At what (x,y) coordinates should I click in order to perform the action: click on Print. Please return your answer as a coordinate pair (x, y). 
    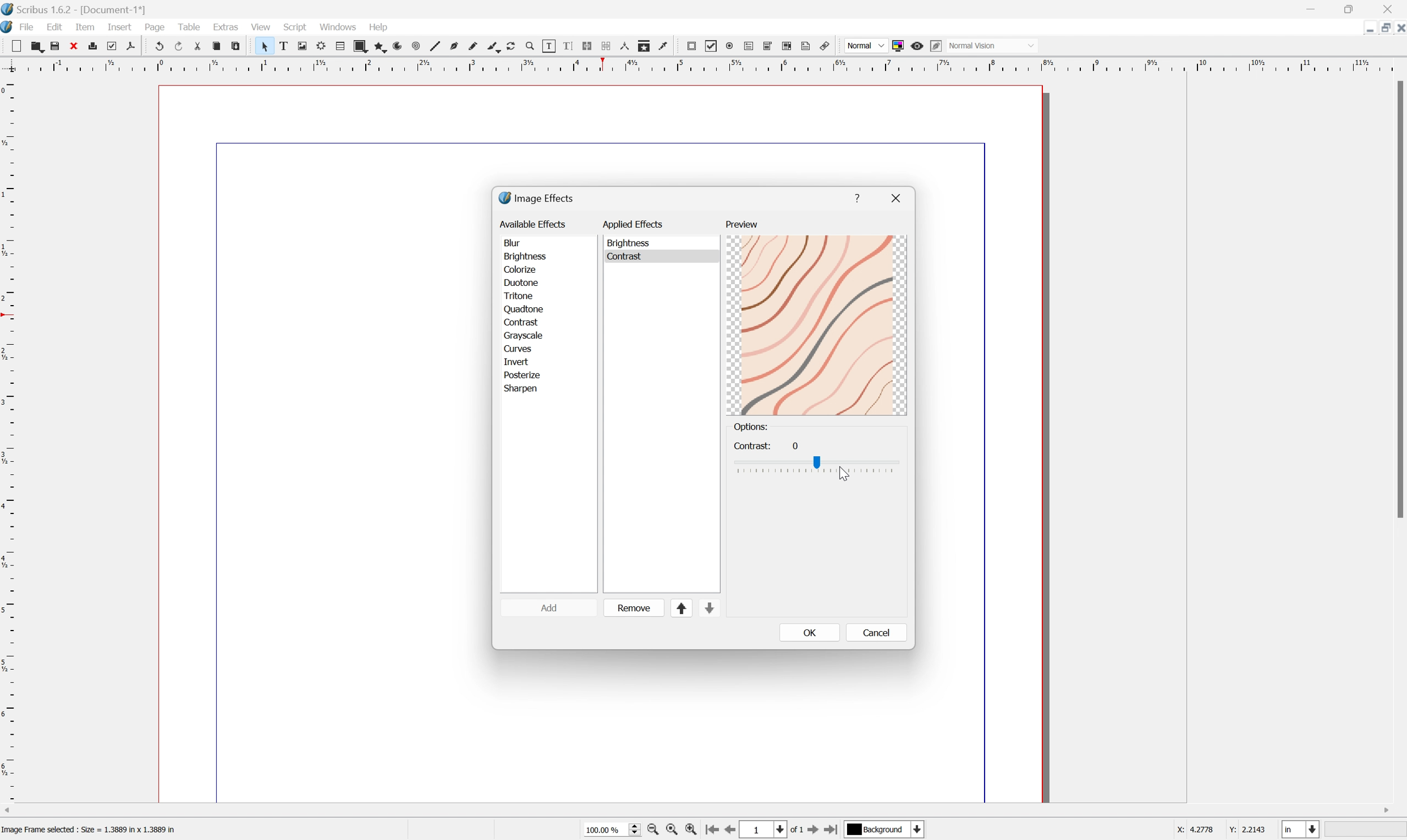
    Looking at the image, I should click on (95, 46).